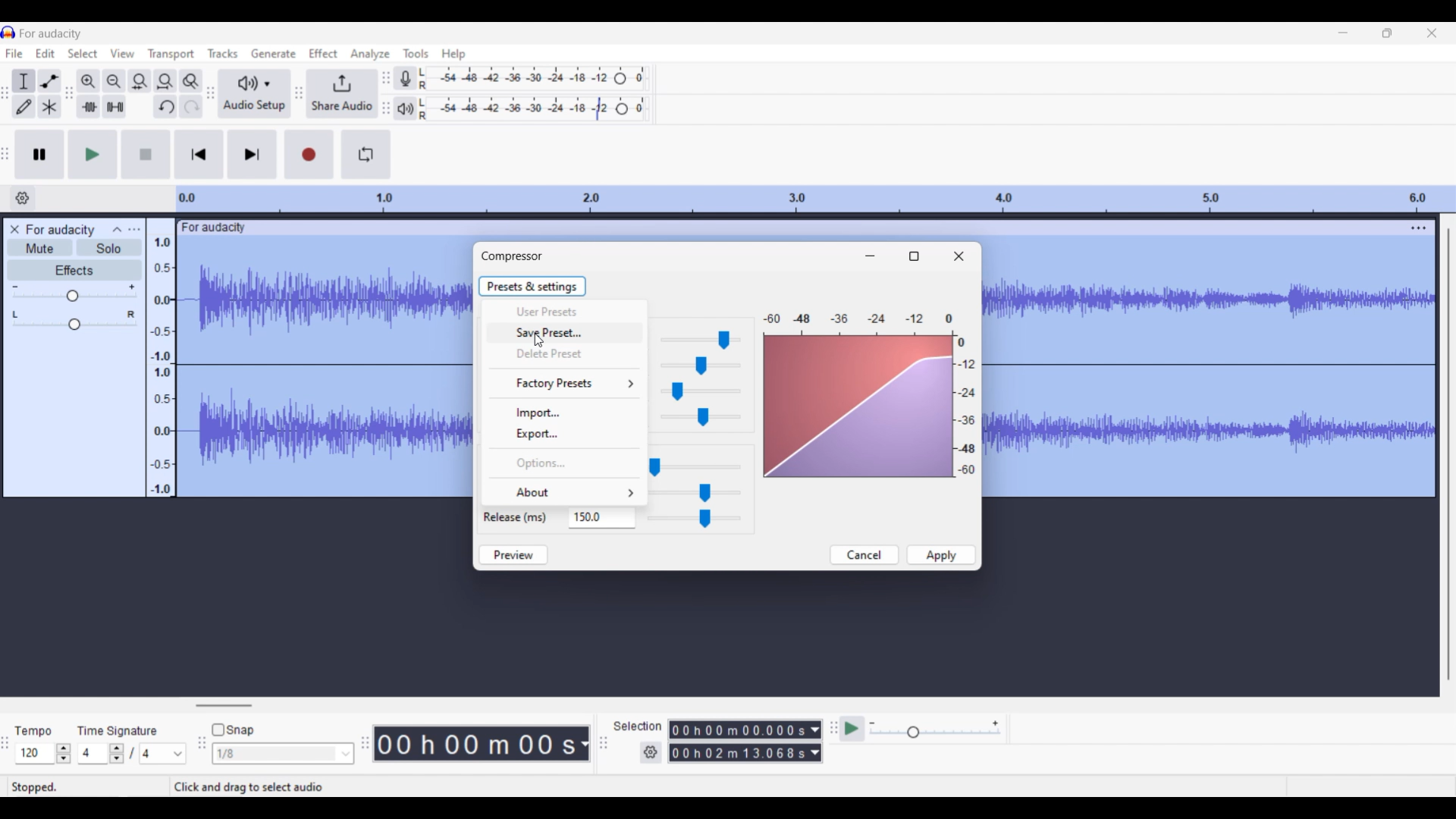 This screenshot has width=1456, height=819. I want to click on Zoom toggle, so click(190, 80).